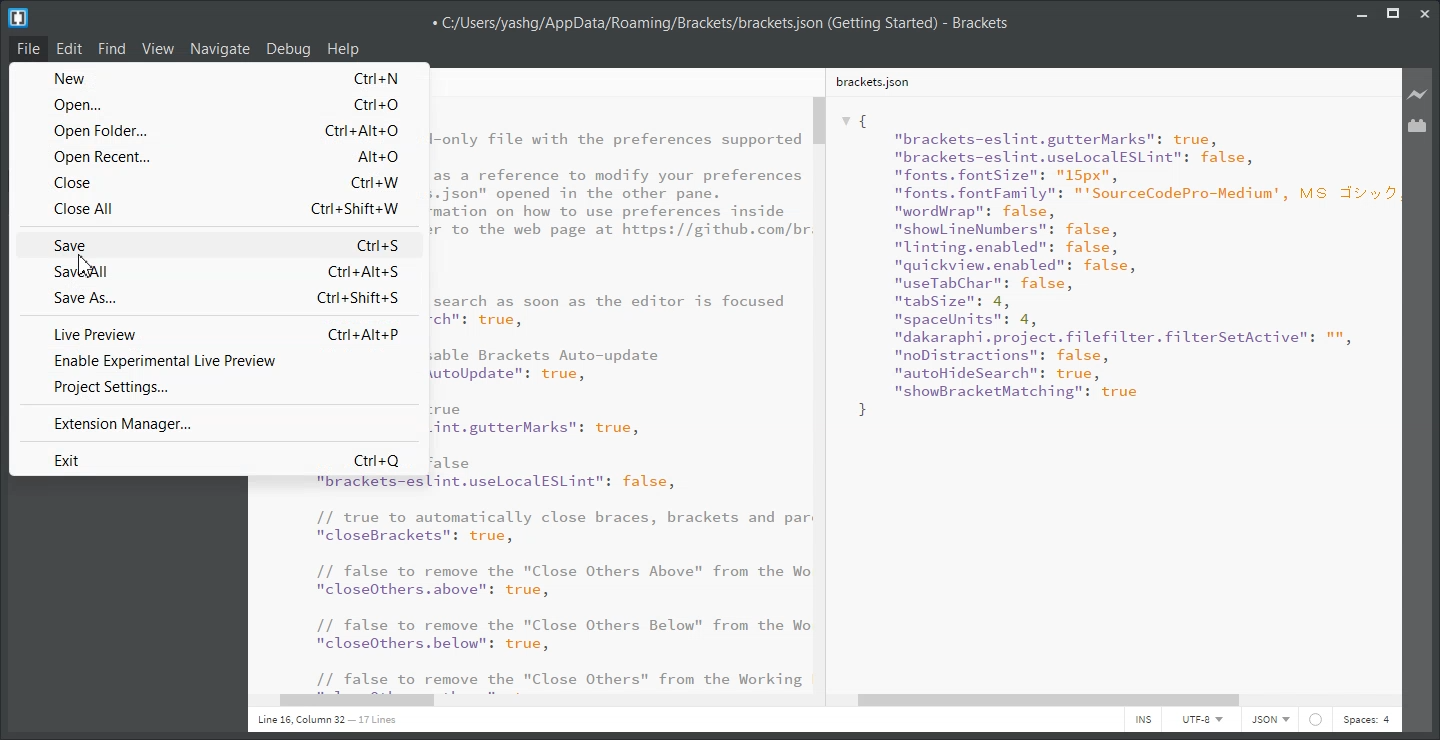  What do you see at coordinates (563, 579) in the screenshot?
I see `"brackets=eslint.uselocalESLint": false,

// true to automatically close braces, brackets and par
"closeBrackets": true,

// false to remove the "Close Others Above" from the Wo
"closeOthers.above": true,

// false to remove the "Close Others Below" from the Wo
"closeOthers.below": true,

11 false to remove the "Close Others” from the Working` at bounding box center [563, 579].